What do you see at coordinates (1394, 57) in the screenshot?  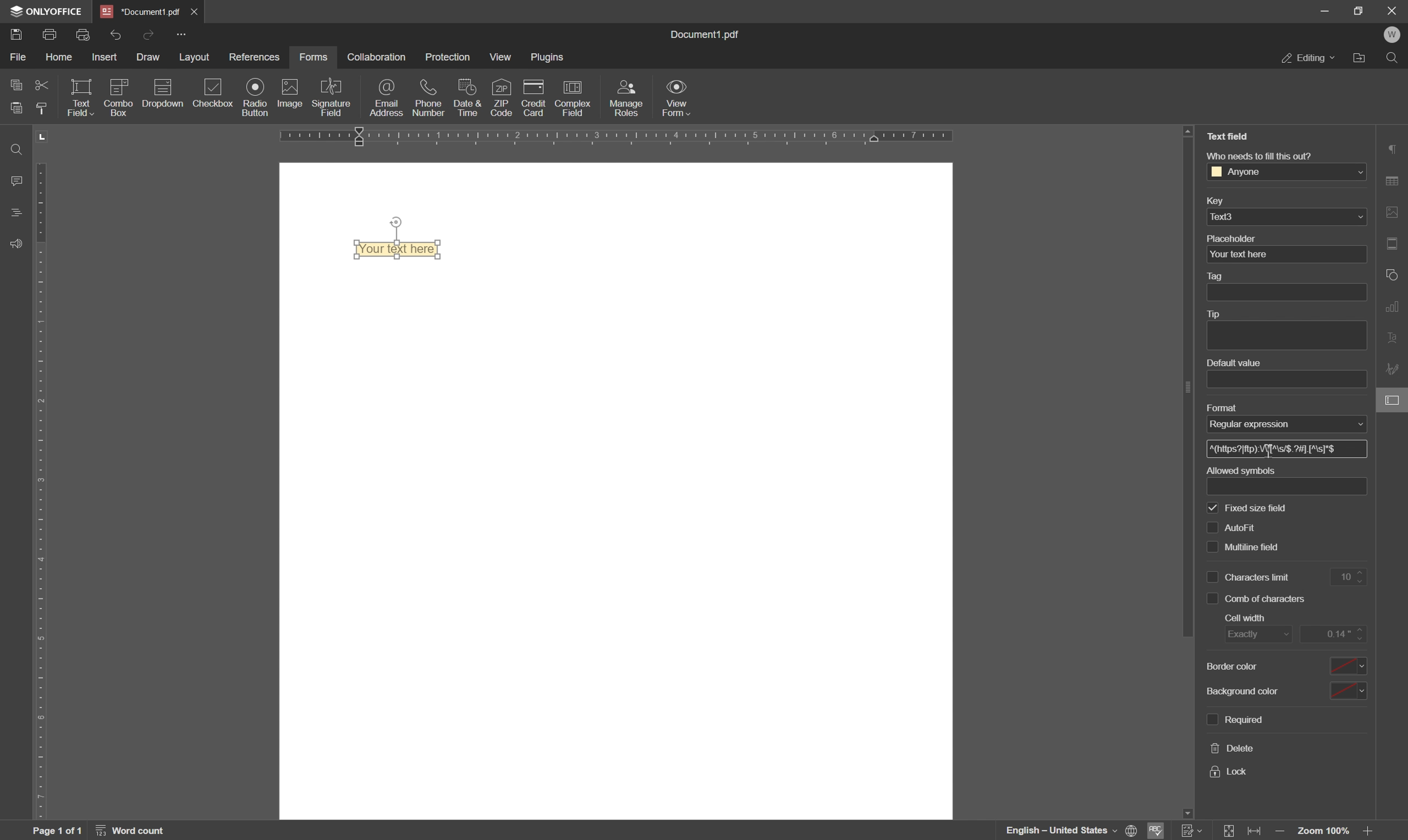 I see `find` at bounding box center [1394, 57].